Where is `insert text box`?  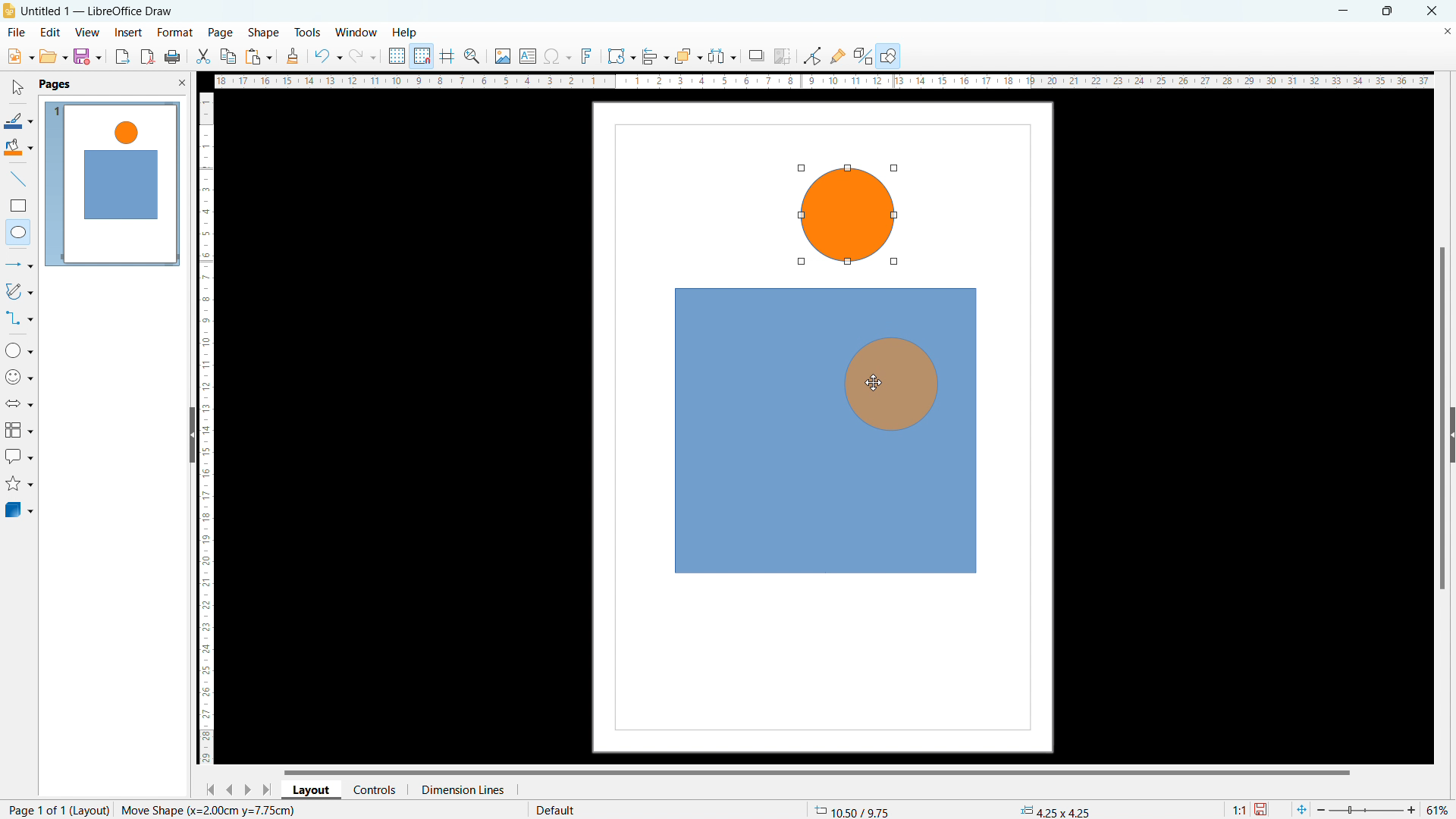
insert text box is located at coordinates (529, 55).